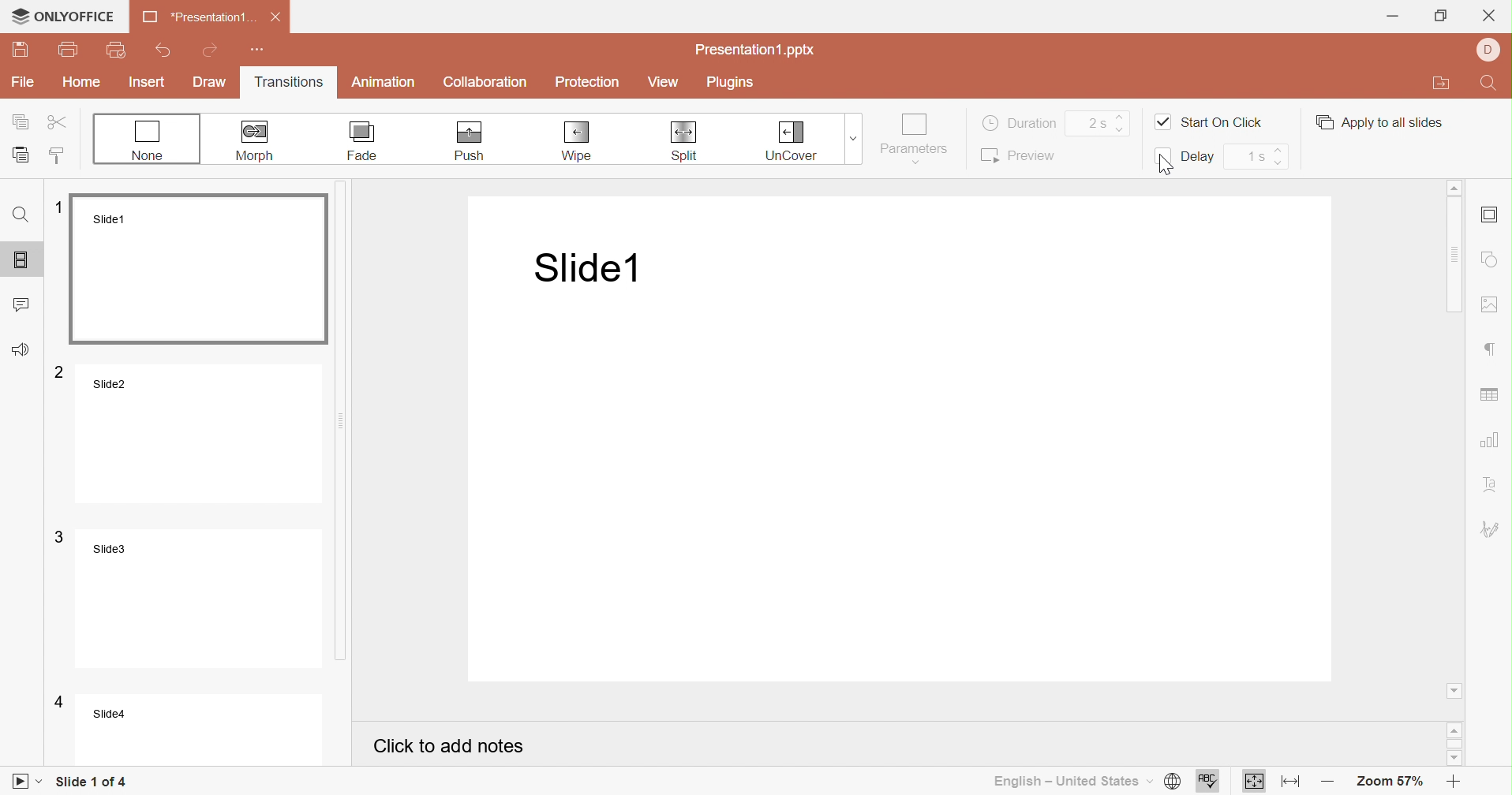  What do you see at coordinates (60, 536) in the screenshot?
I see `3` at bounding box center [60, 536].